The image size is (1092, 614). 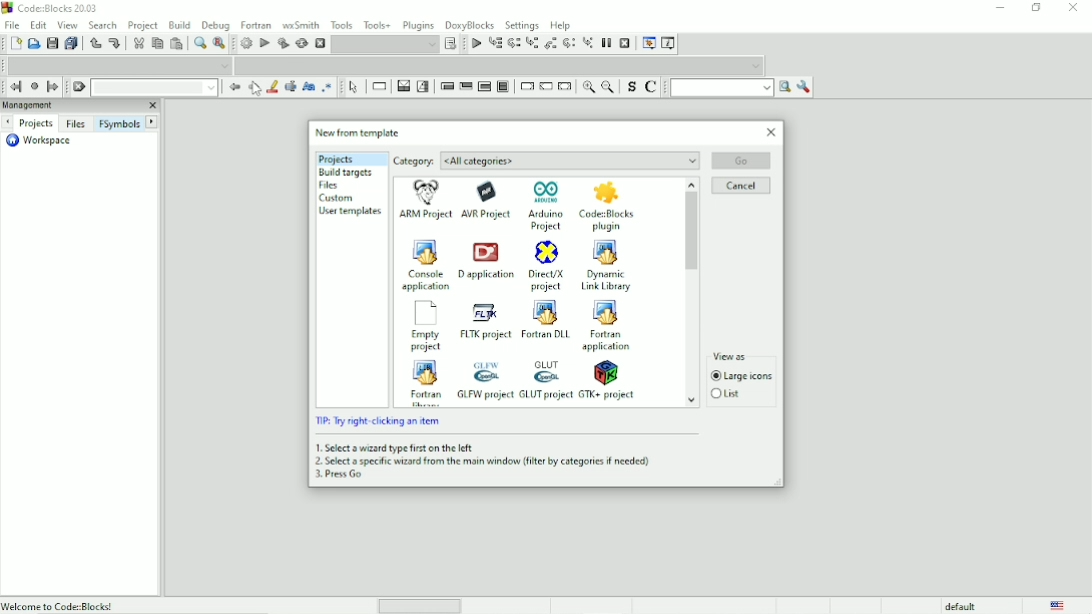 What do you see at coordinates (550, 43) in the screenshot?
I see `Step out` at bounding box center [550, 43].